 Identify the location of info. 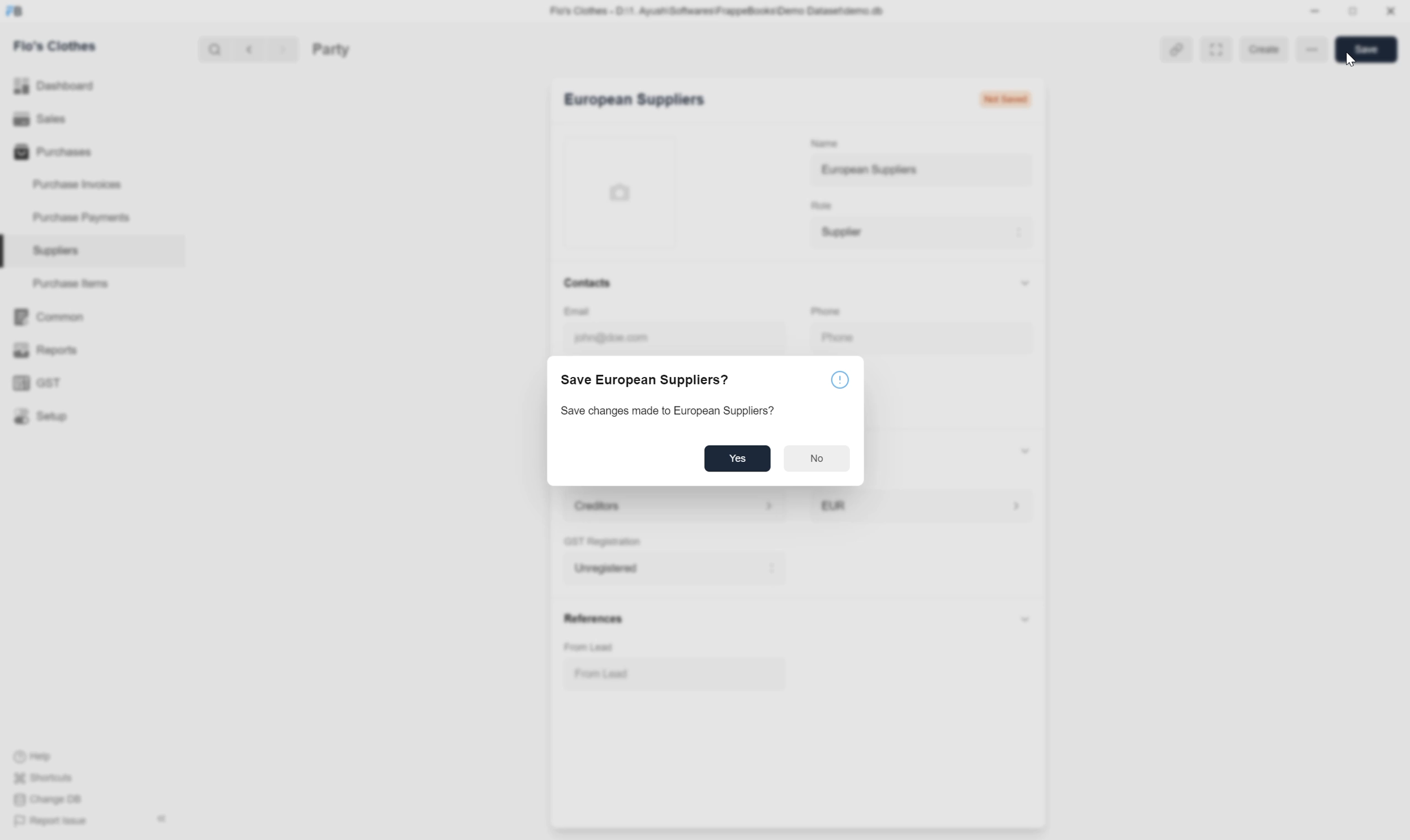
(841, 376).